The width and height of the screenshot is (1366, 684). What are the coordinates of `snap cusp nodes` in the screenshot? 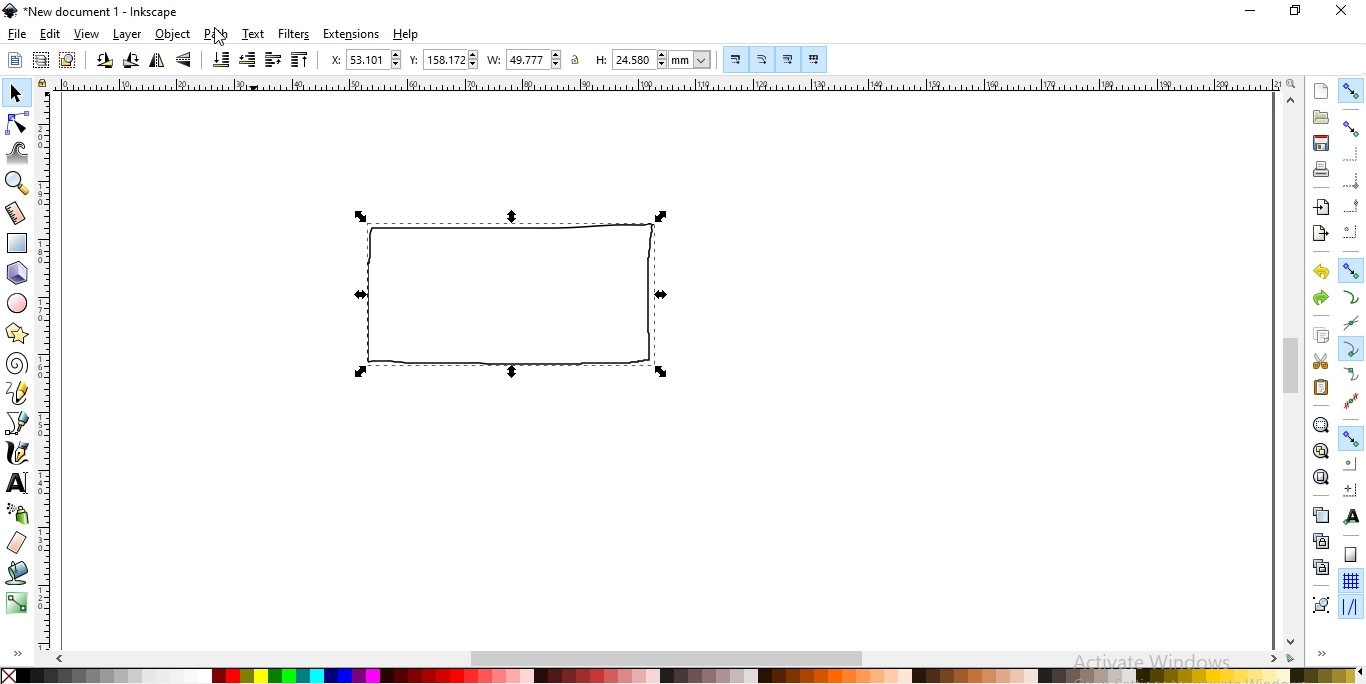 It's located at (1350, 348).